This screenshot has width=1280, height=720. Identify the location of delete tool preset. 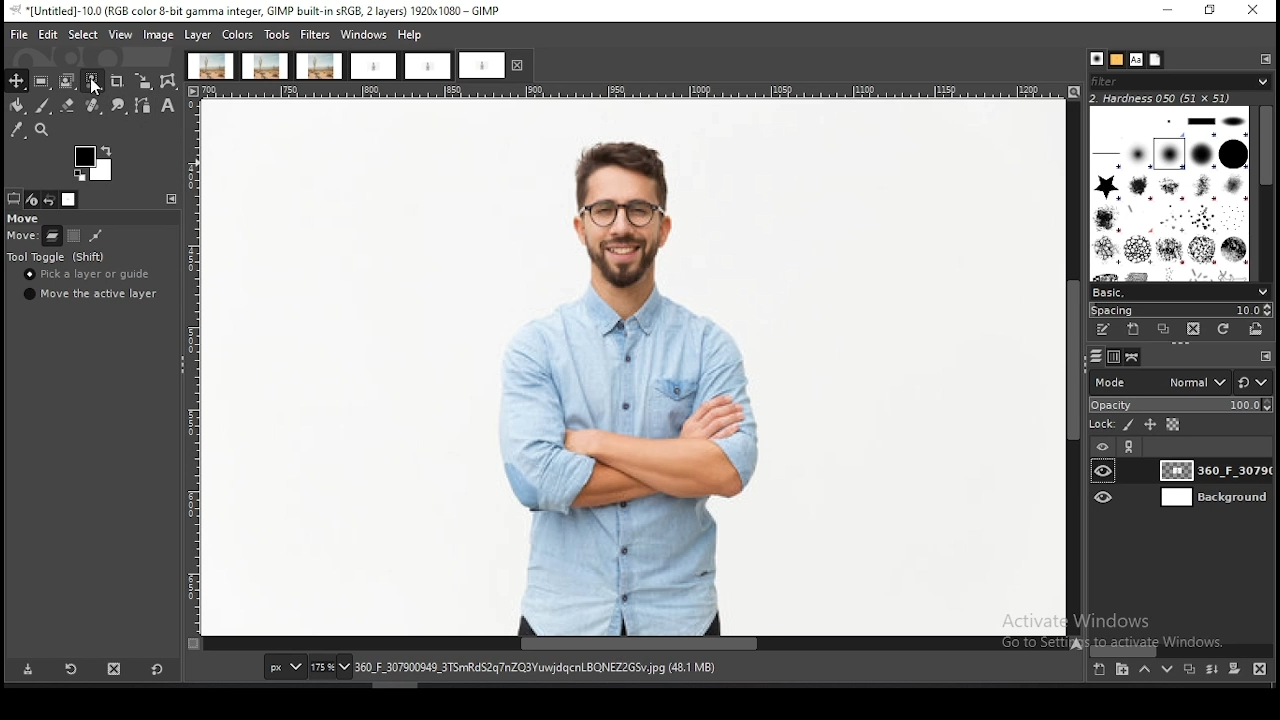
(116, 667).